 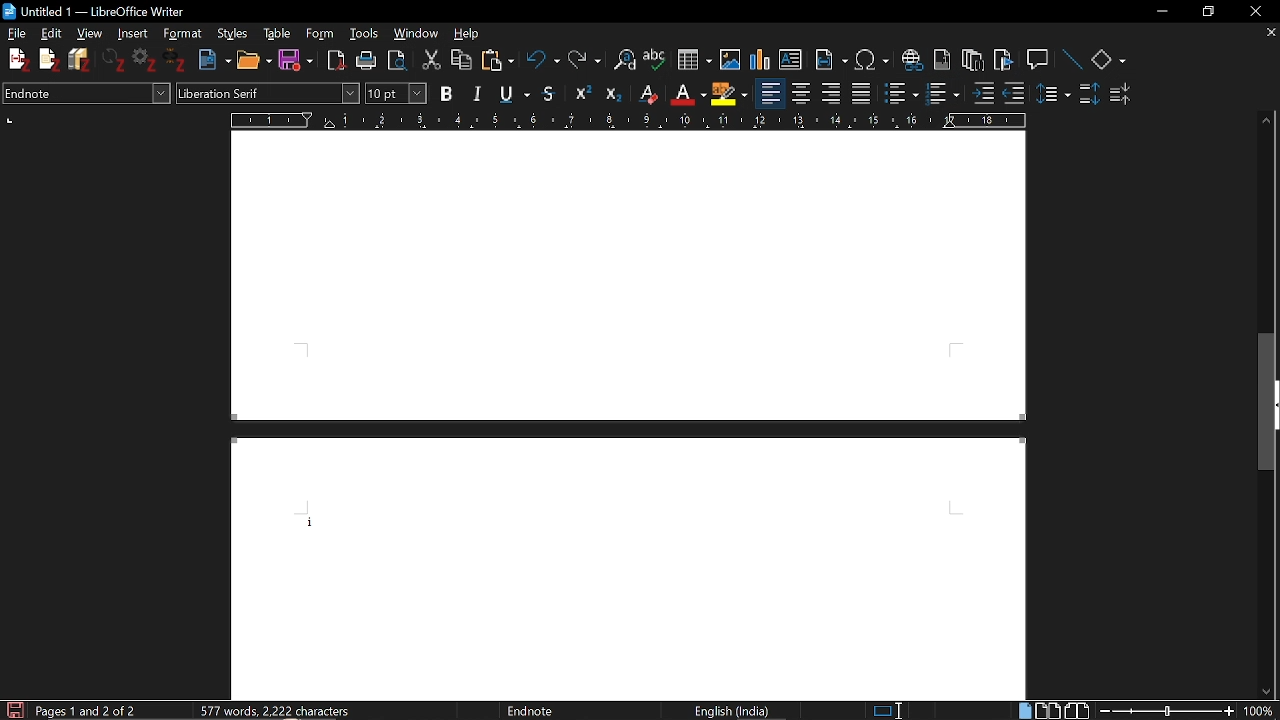 I want to click on Move down, so click(x=1266, y=691).